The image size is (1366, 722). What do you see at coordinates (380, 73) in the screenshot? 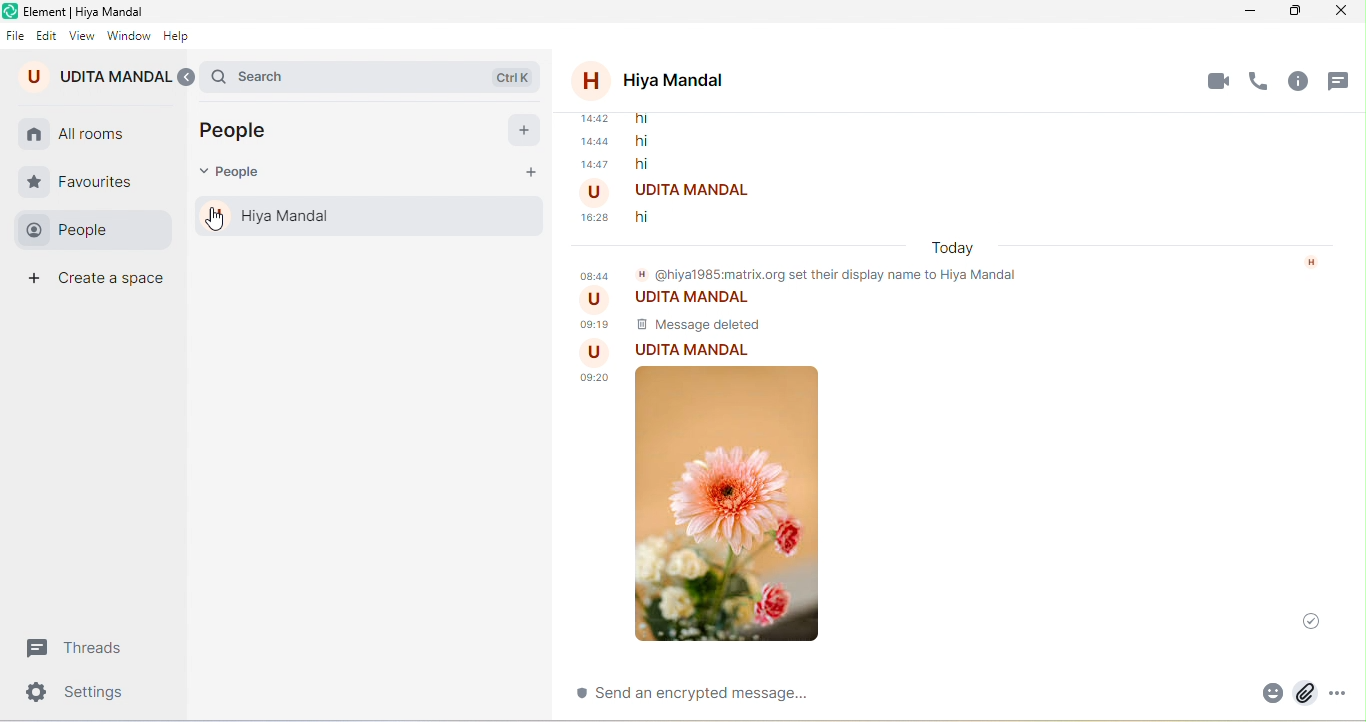
I see `search` at bounding box center [380, 73].